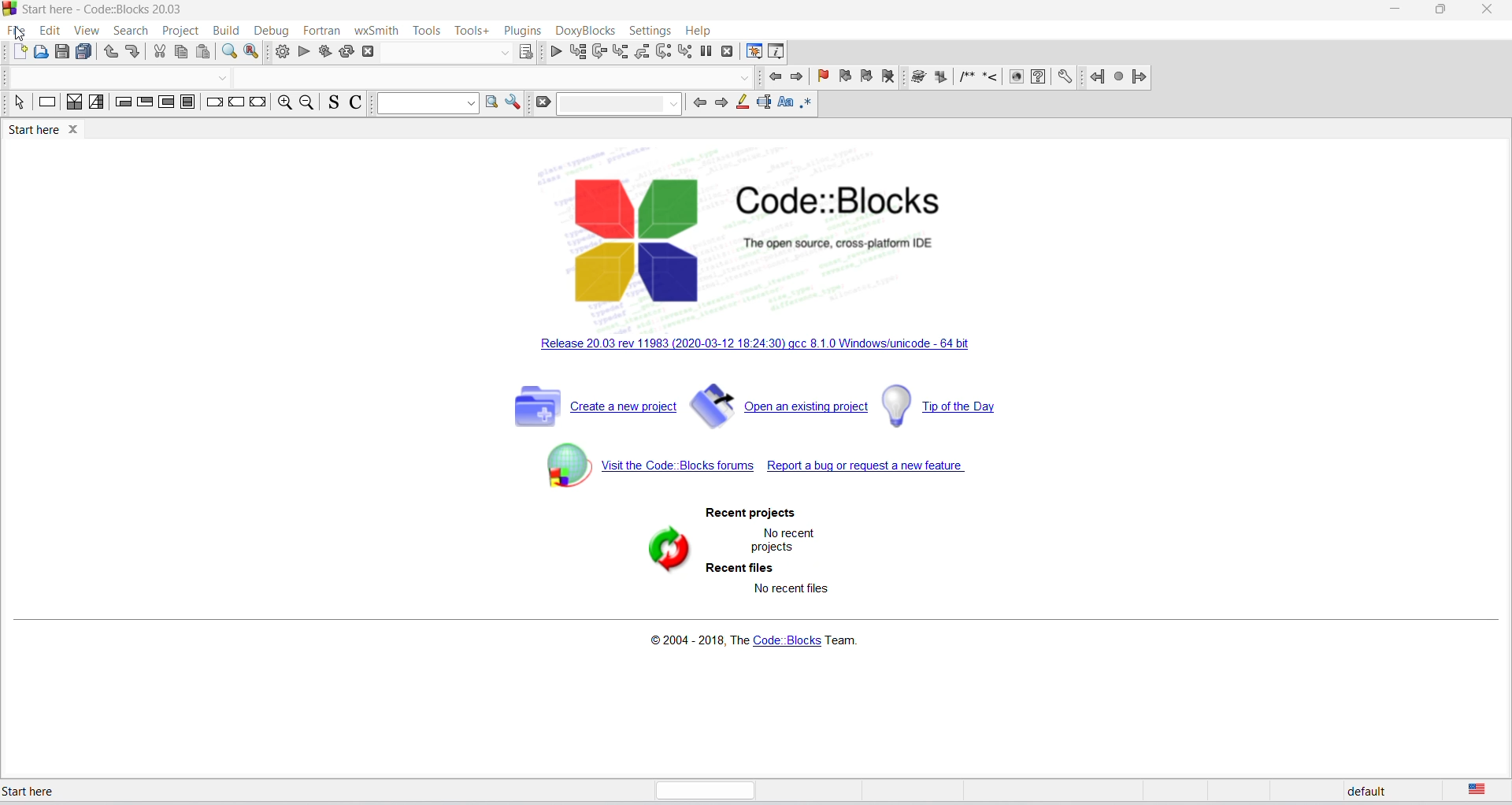 This screenshot has height=805, width=1512. I want to click on undo, so click(109, 51).